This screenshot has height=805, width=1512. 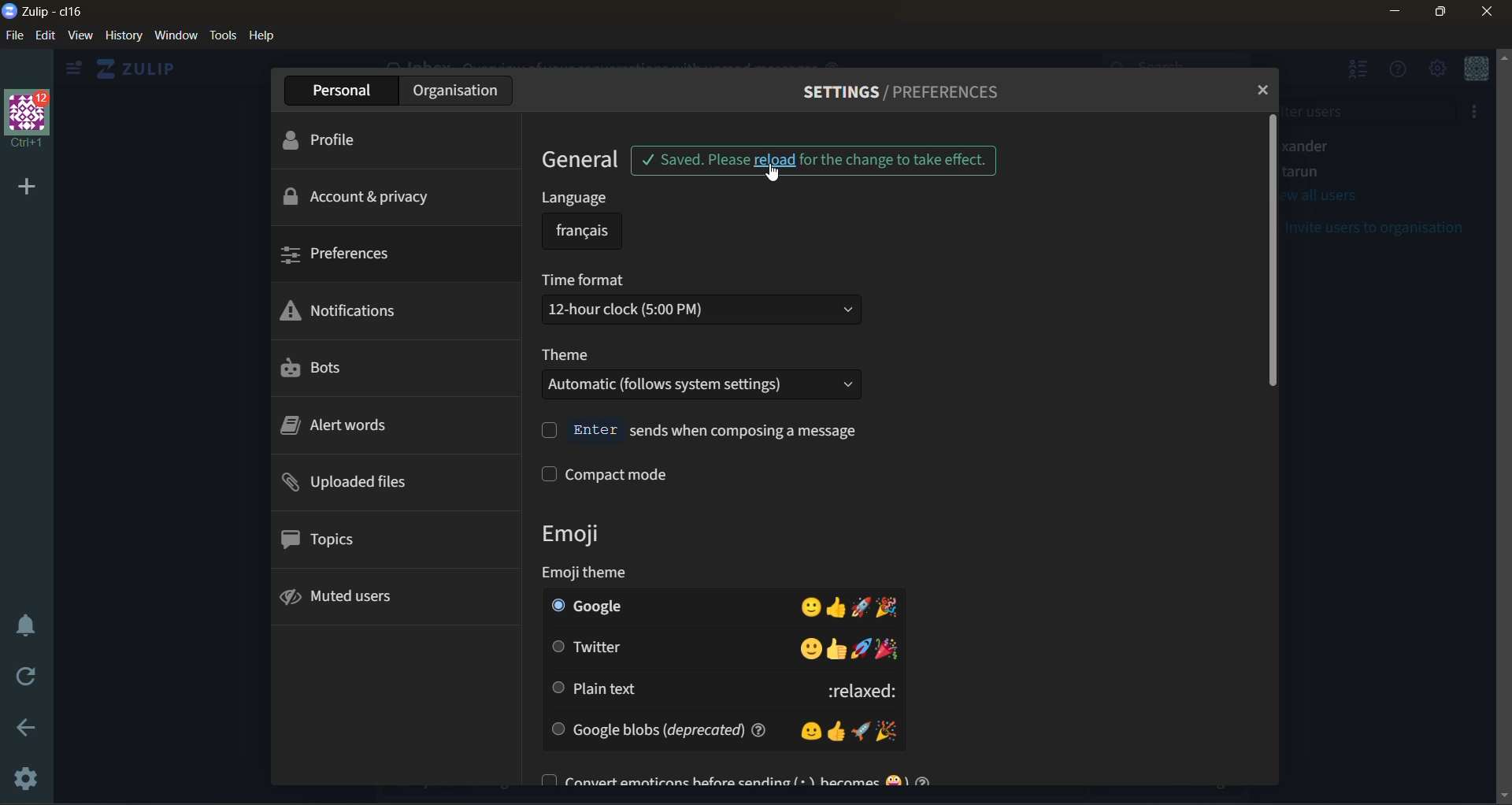 What do you see at coordinates (724, 647) in the screenshot?
I see `twitter` at bounding box center [724, 647].